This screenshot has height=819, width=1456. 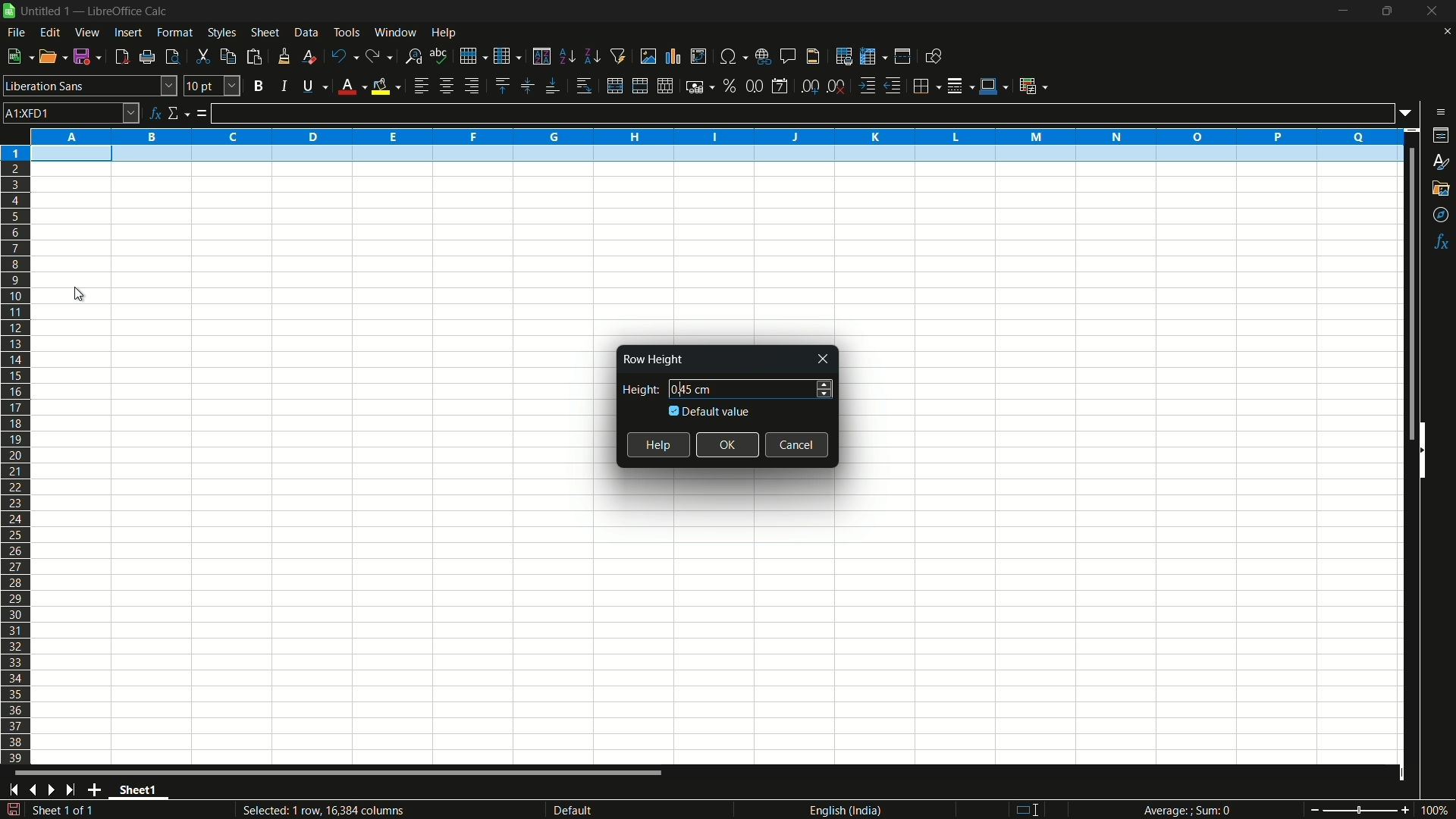 What do you see at coordinates (812, 87) in the screenshot?
I see `add decimal place` at bounding box center [812, 87].